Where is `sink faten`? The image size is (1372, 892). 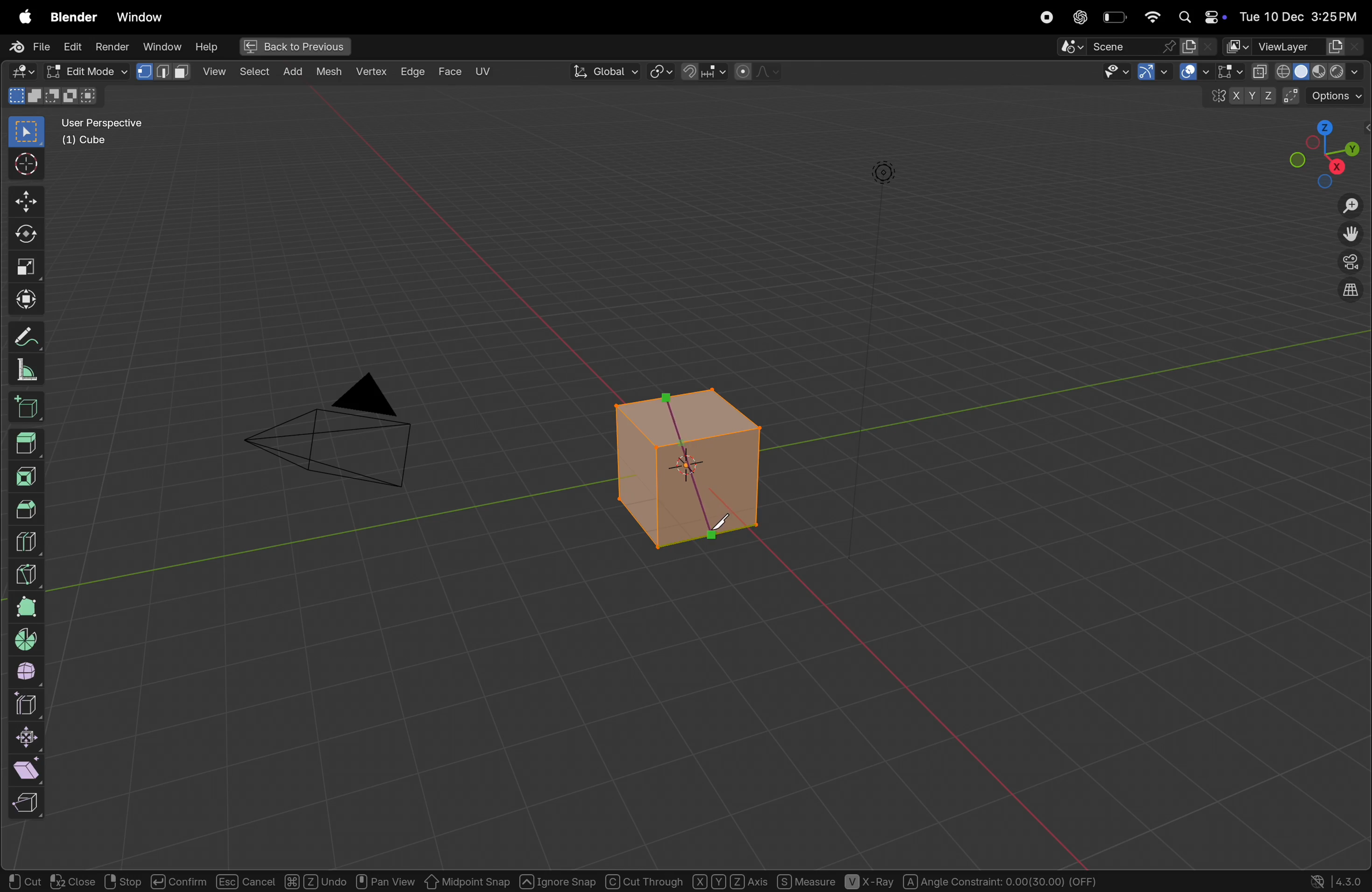
sink faten is located at coordinates (29, 738).